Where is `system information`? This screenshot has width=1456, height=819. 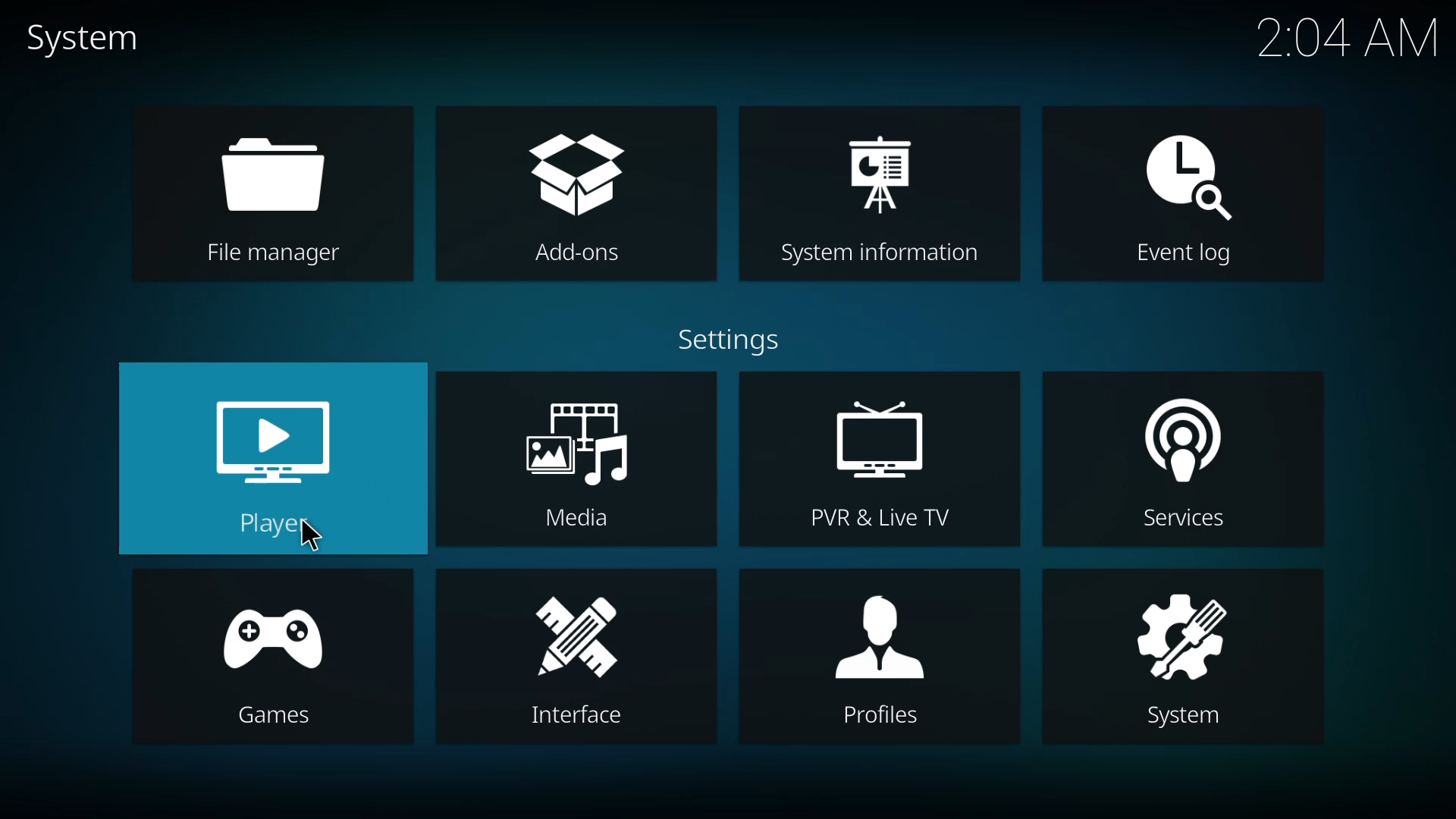
system information is located at coordinates (884, 189).